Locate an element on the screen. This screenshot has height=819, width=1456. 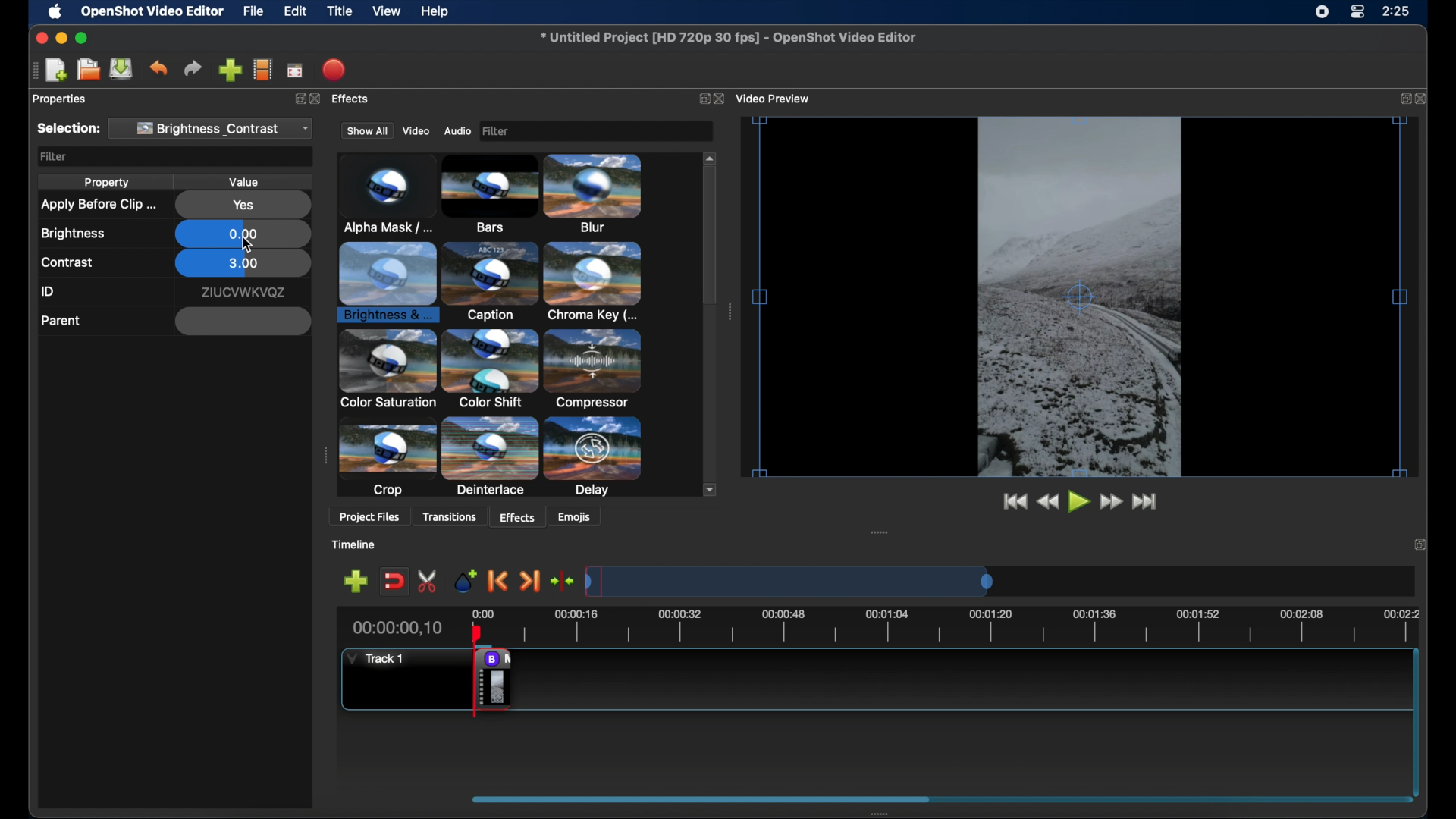
selection: is located at coordinates (67, 129).